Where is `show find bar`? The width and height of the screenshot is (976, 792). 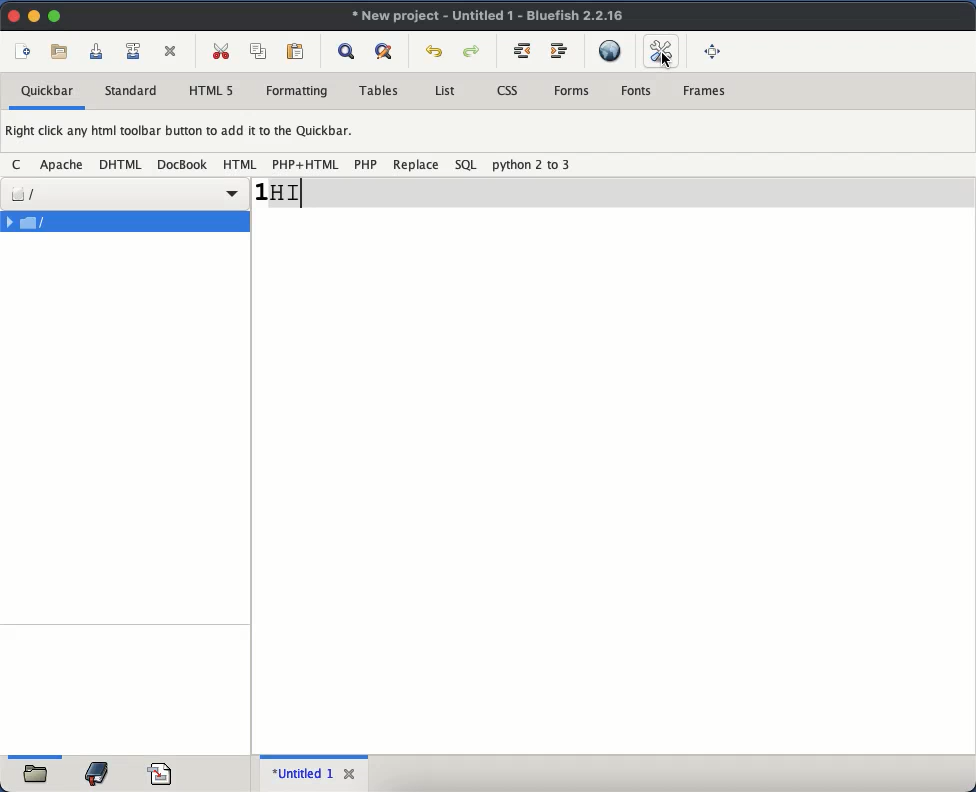
show find bar is located at coordinates (349, 51).